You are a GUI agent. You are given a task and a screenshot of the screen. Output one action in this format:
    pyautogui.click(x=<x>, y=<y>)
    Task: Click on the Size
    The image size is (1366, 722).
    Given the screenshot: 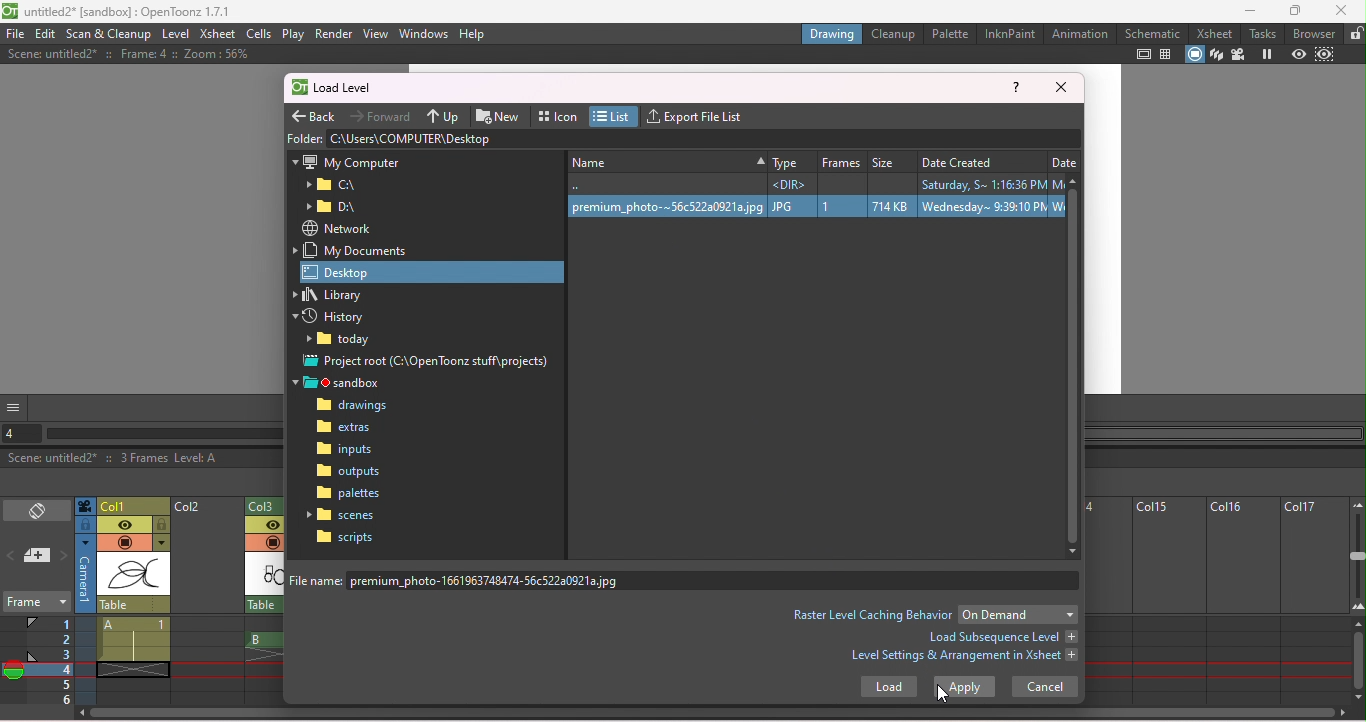 What is the action you would take?
    pyautogui.click(x=891, y=159)
    